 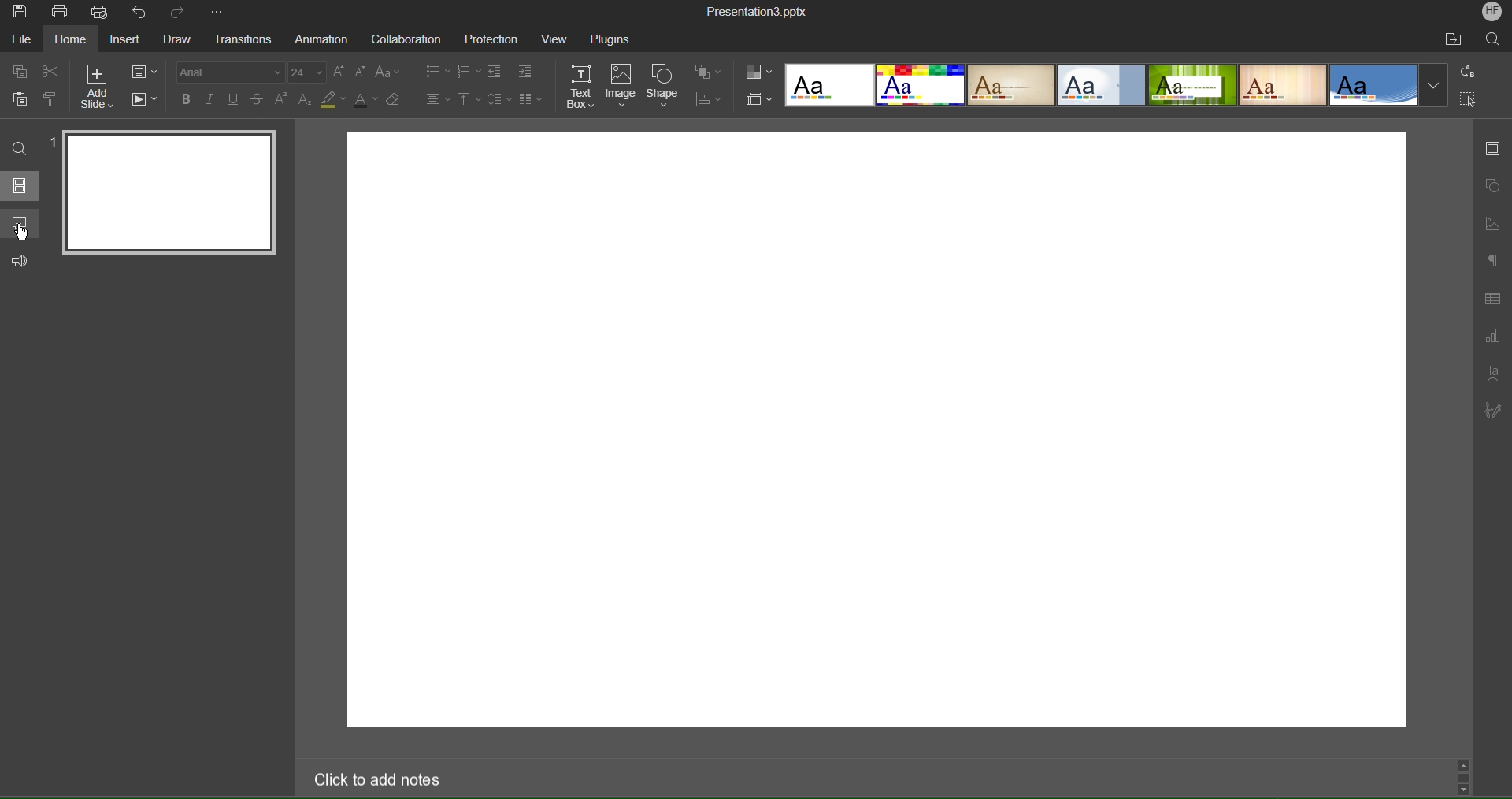 What do you see at coordinates (101, 13) in the screenshot?
I see `Quick Print` at bounding box center [101, 13].